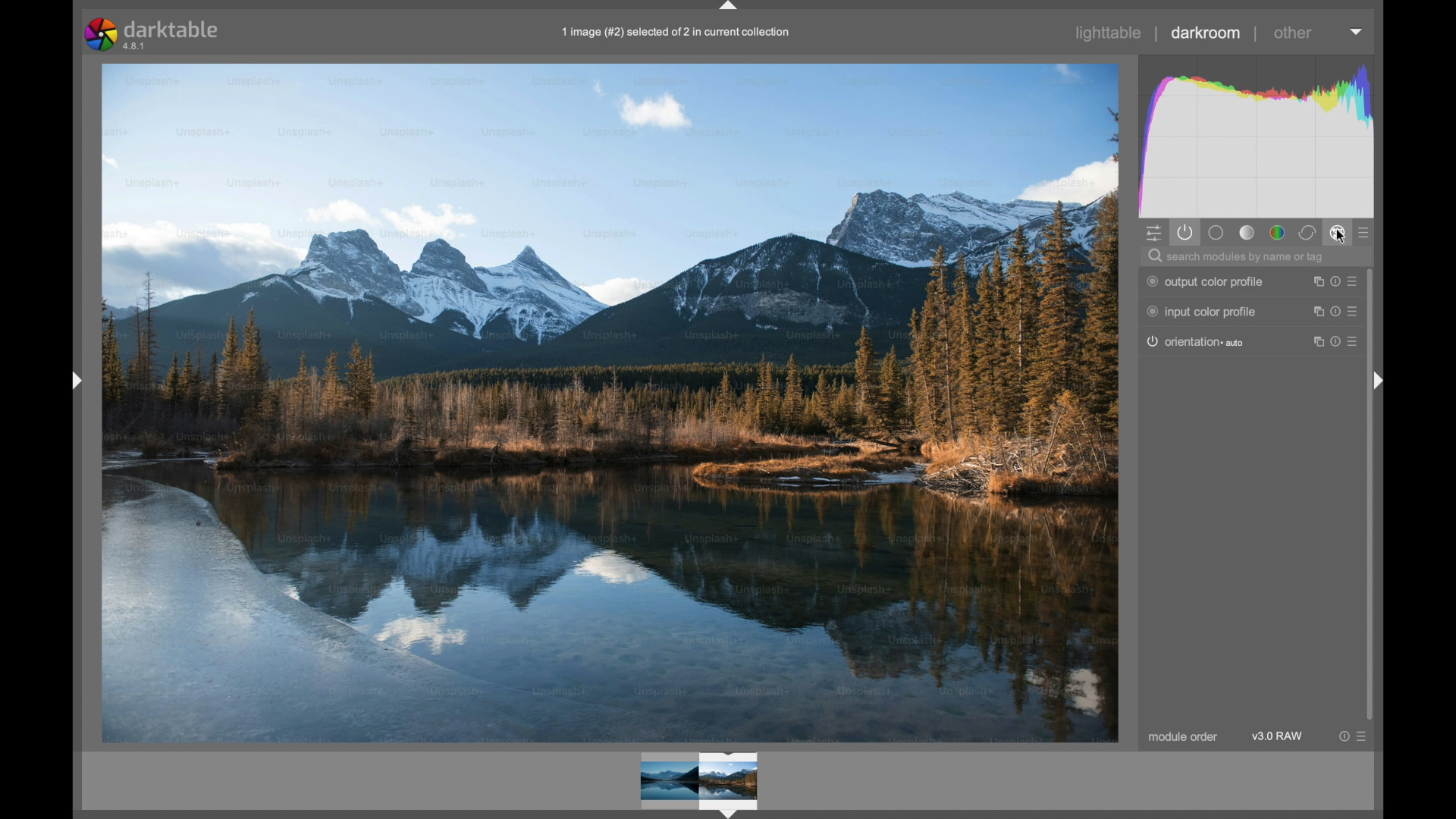 The width and height of the screenshot is (1456, 819). I want to click on output color profile, so click(1206, 283).